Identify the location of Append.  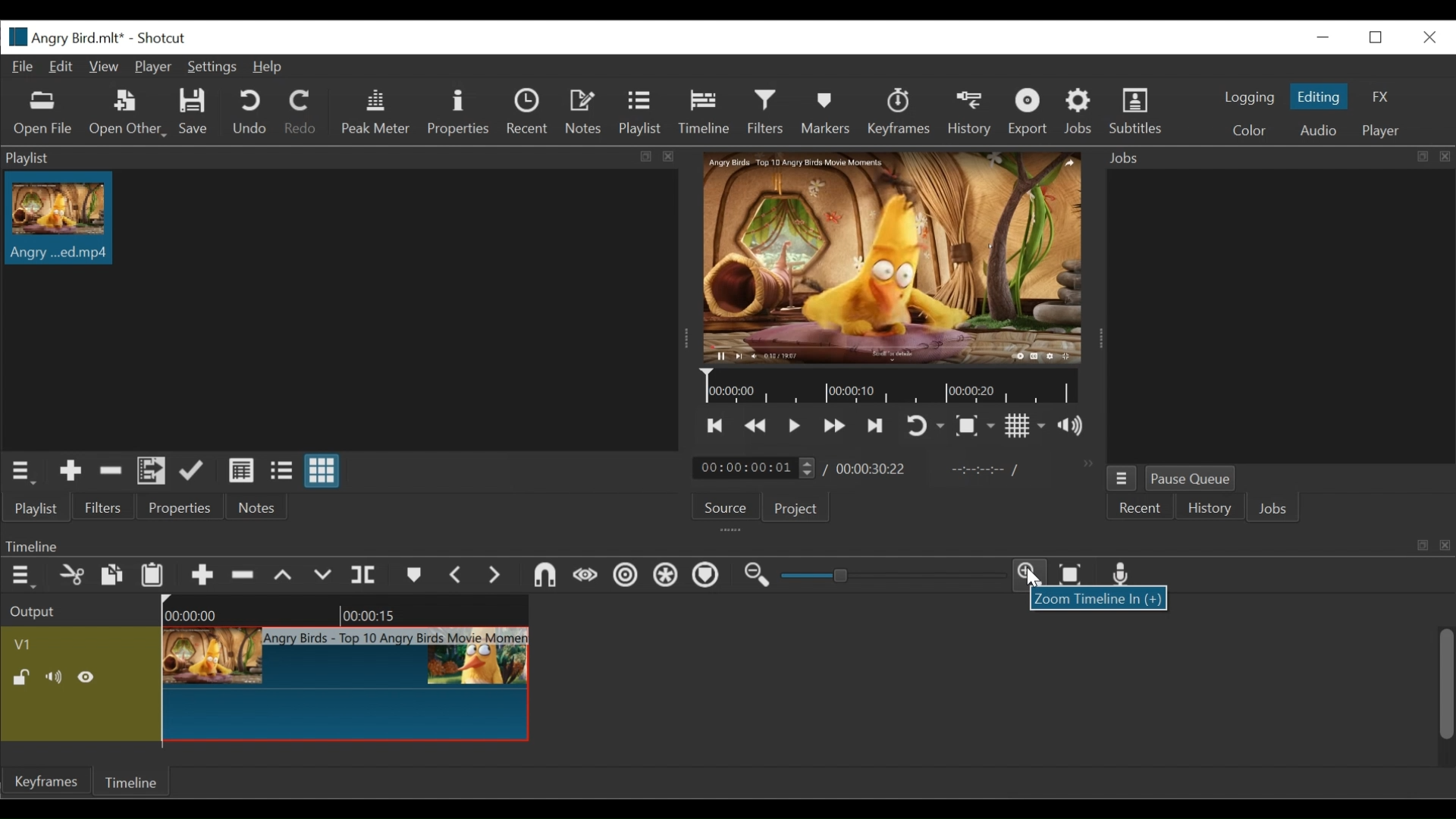
(203, 576).